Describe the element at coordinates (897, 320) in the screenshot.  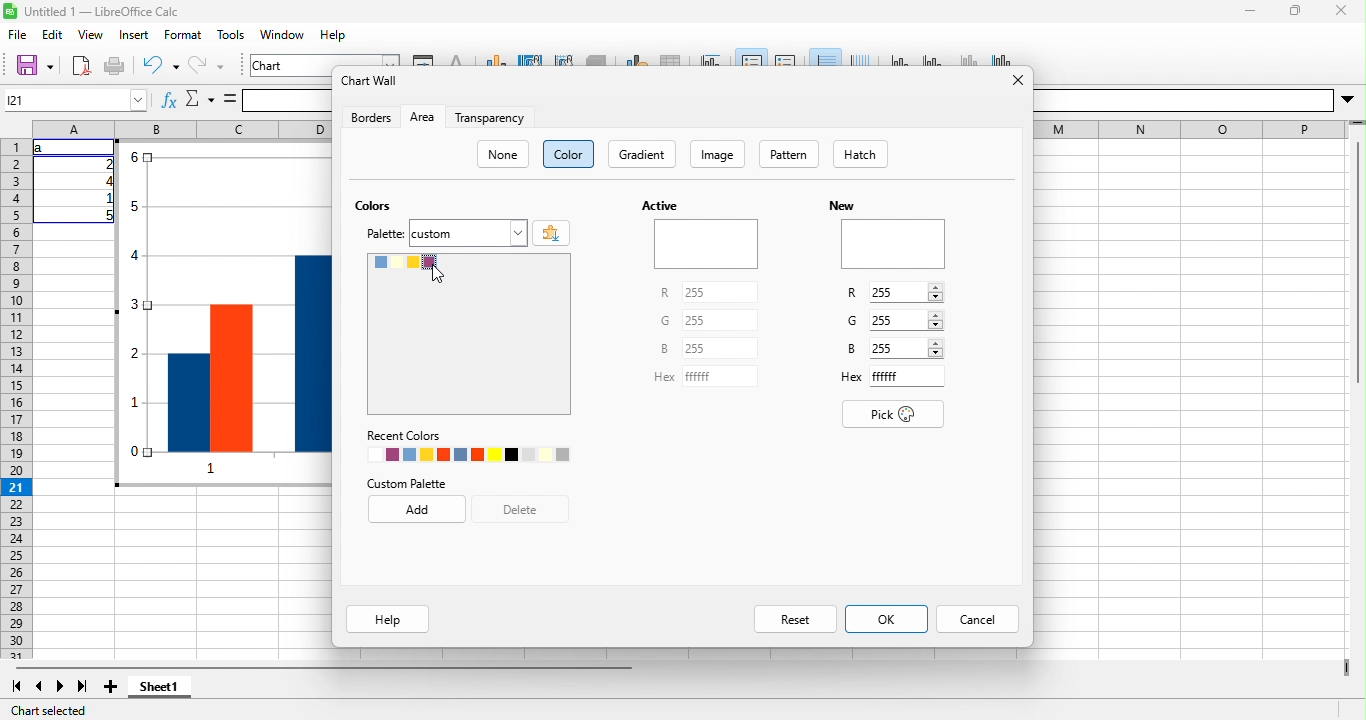
I see `Input G value` at that location.